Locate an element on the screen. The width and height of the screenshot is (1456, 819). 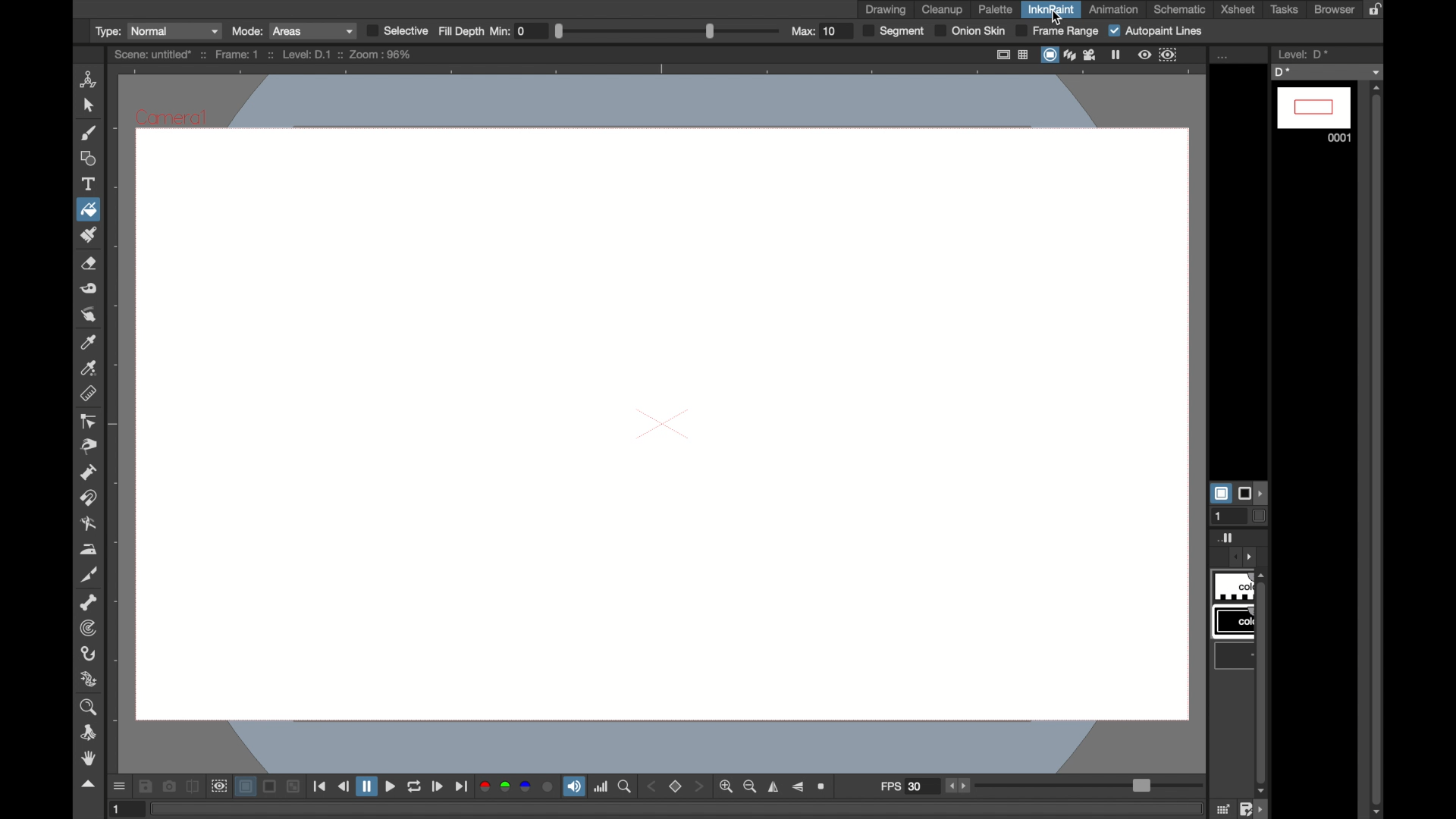
slider is located at coordinates (667, 30).